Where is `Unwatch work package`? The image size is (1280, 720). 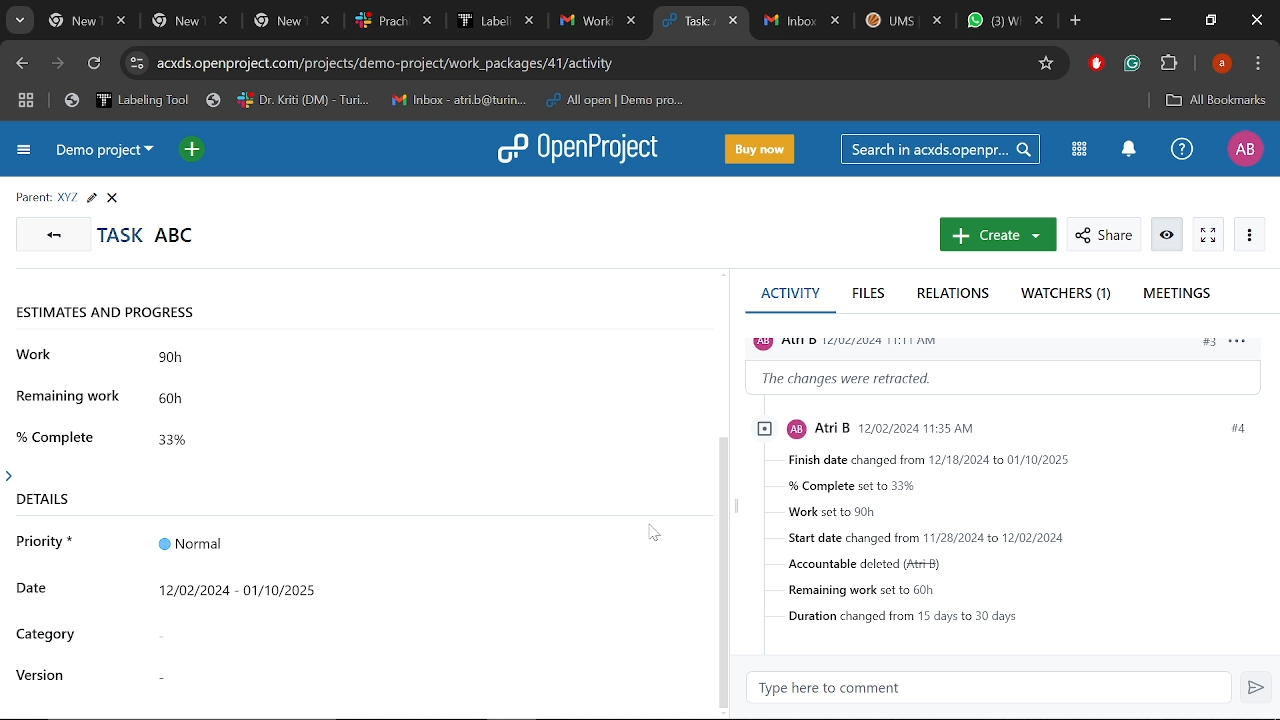
Unwatch work package is located at coordinates (1169, 235).